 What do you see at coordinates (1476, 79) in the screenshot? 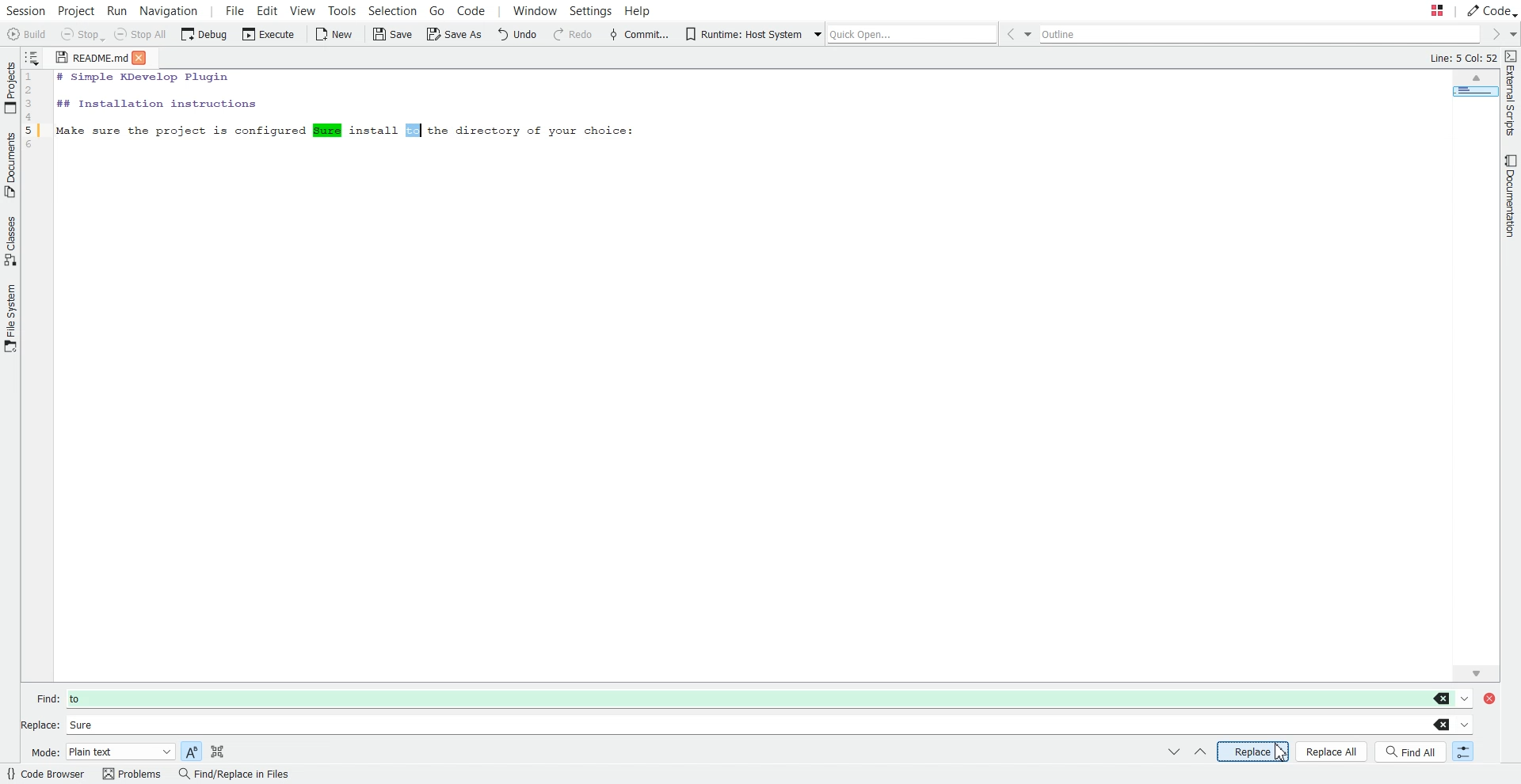
I see `Scroll up arrow` at bounding box center [1476, 79].